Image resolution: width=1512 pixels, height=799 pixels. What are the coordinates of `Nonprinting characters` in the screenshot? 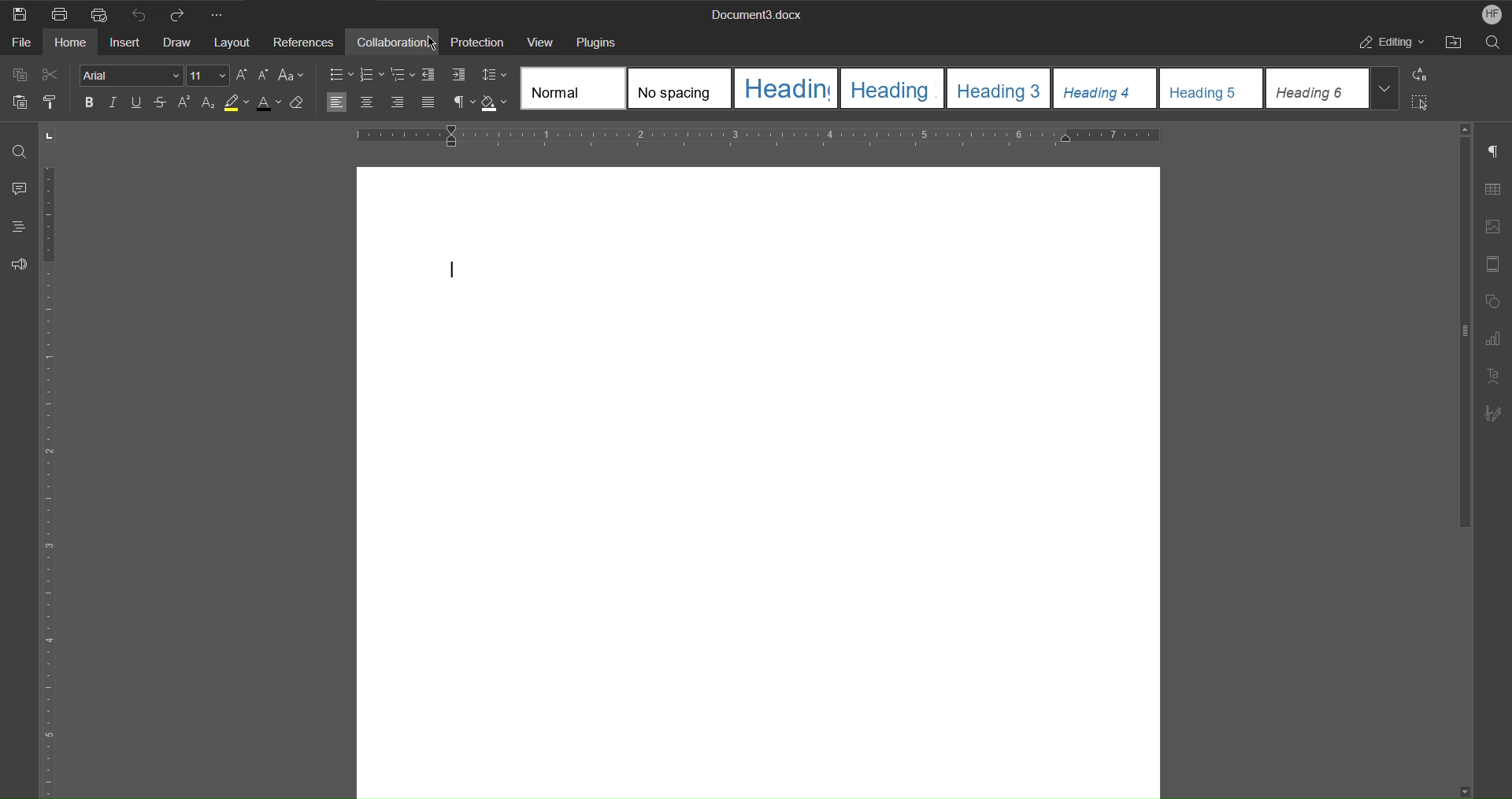 It's located at (465, 102).